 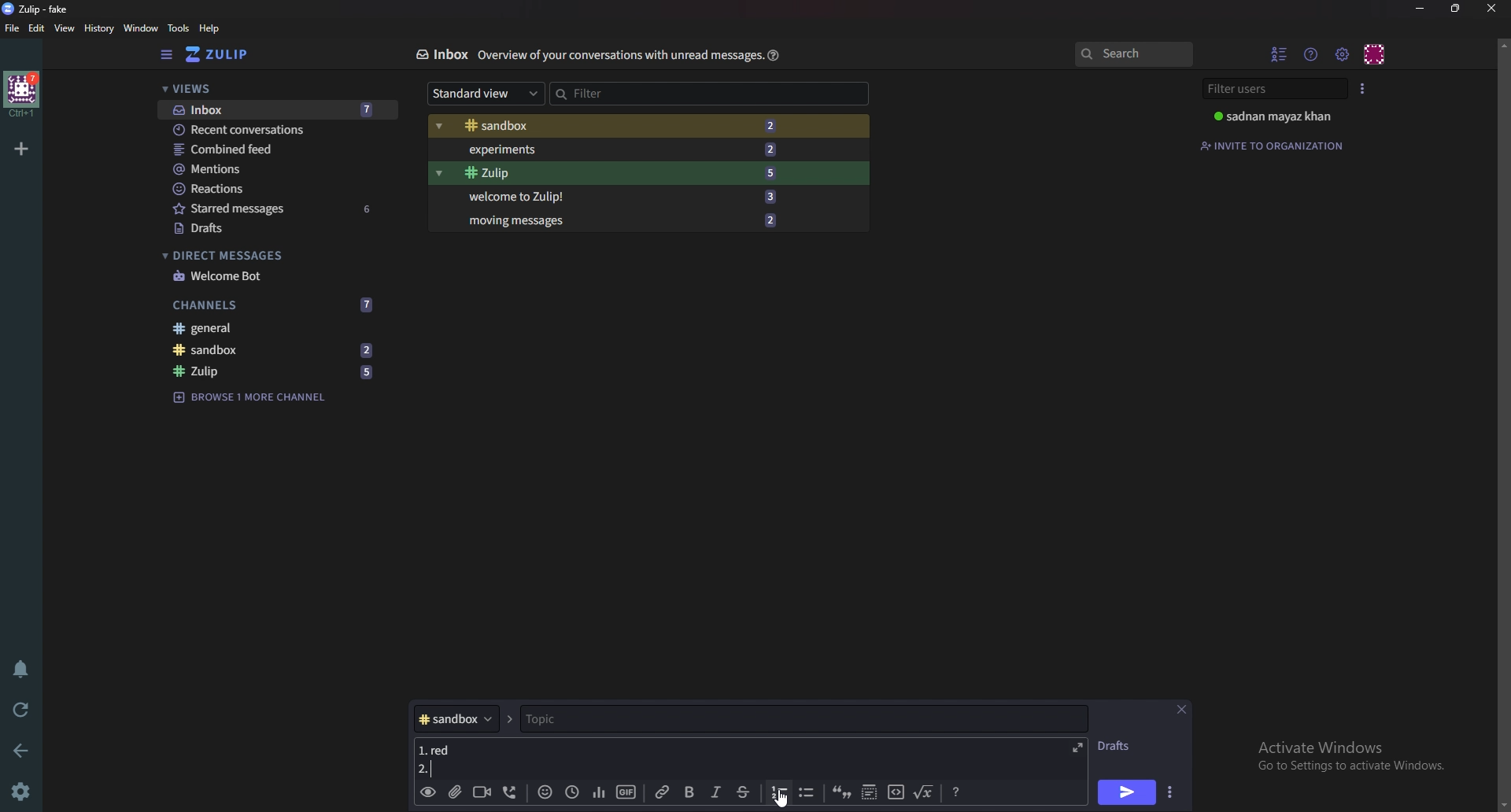 I want to click on Spoiler, so click(x=867, y=794).